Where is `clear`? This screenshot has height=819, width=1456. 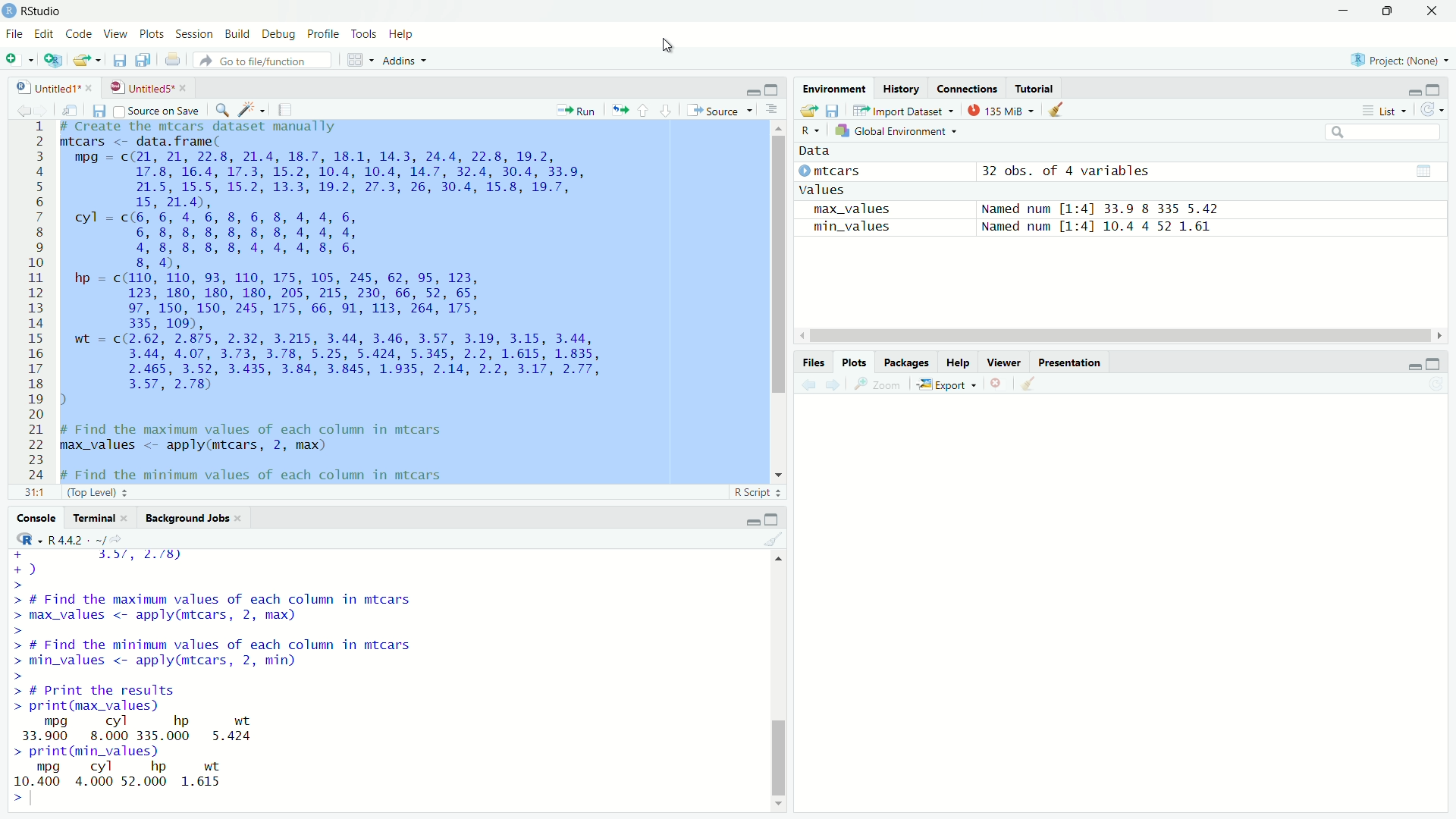
clear is located at coordinates (1039, 385).